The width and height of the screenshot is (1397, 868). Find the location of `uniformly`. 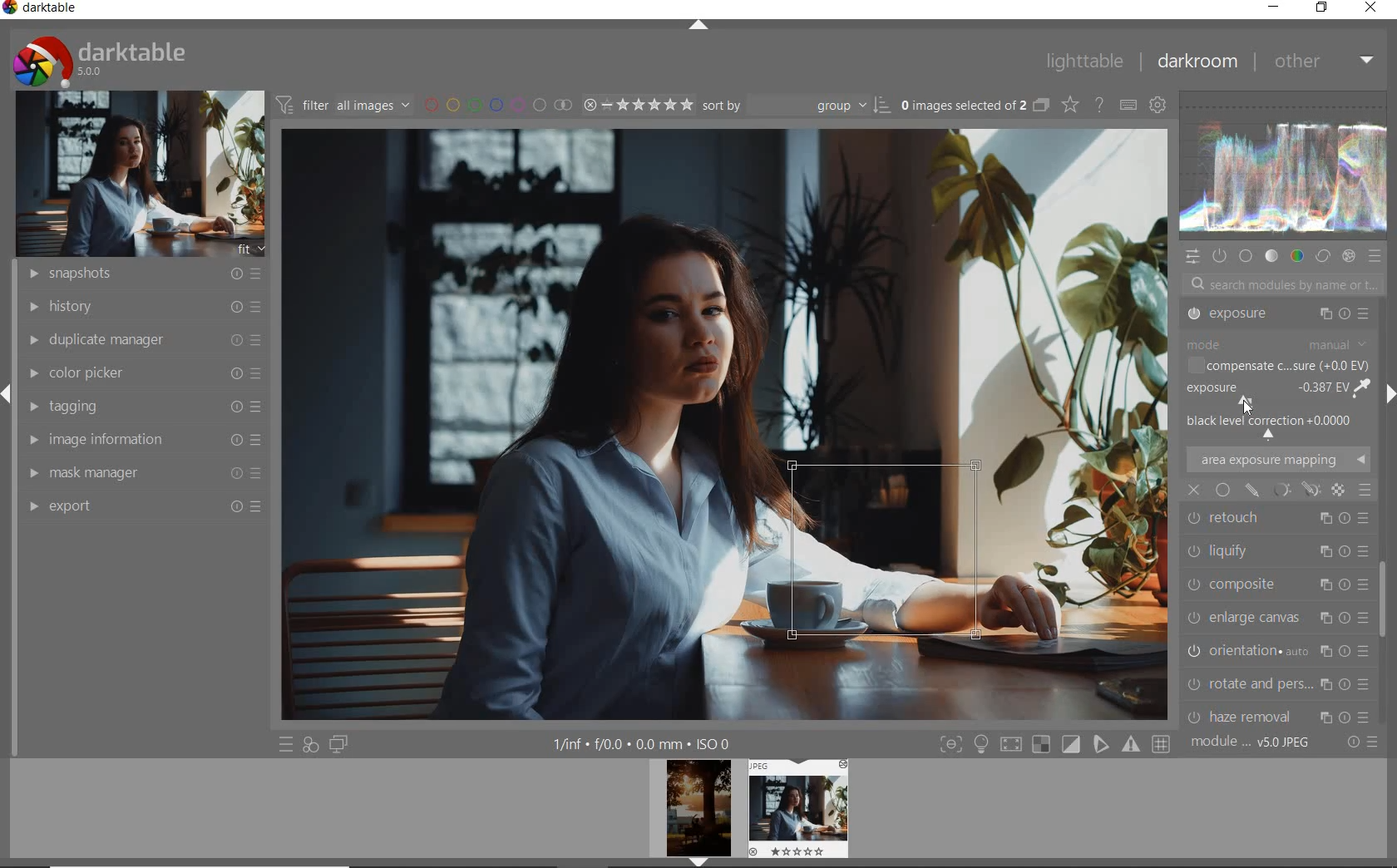

uniformly is located at coordinates (1222, 491).